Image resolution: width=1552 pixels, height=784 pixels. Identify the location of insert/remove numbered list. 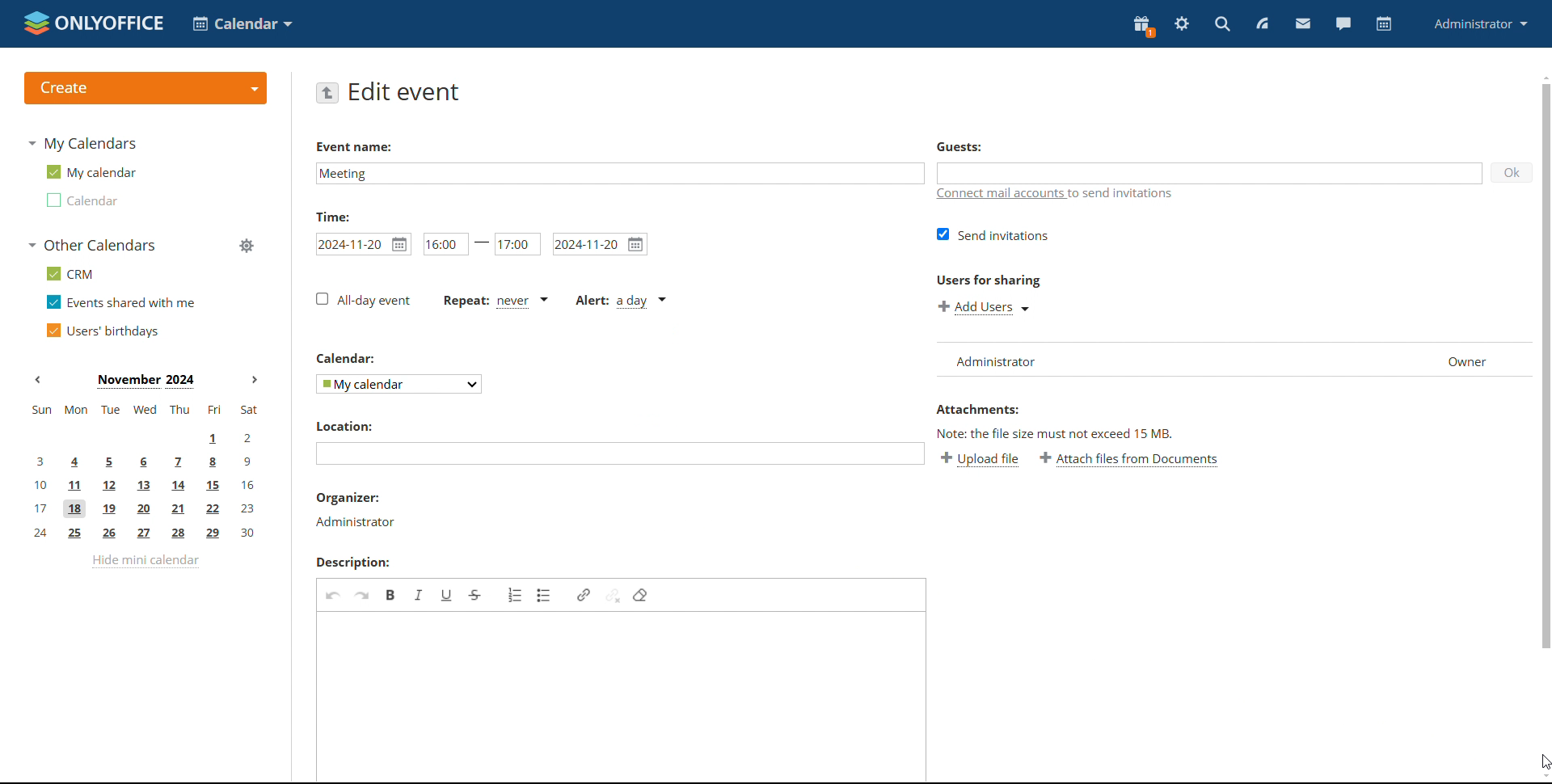
(516, 596).